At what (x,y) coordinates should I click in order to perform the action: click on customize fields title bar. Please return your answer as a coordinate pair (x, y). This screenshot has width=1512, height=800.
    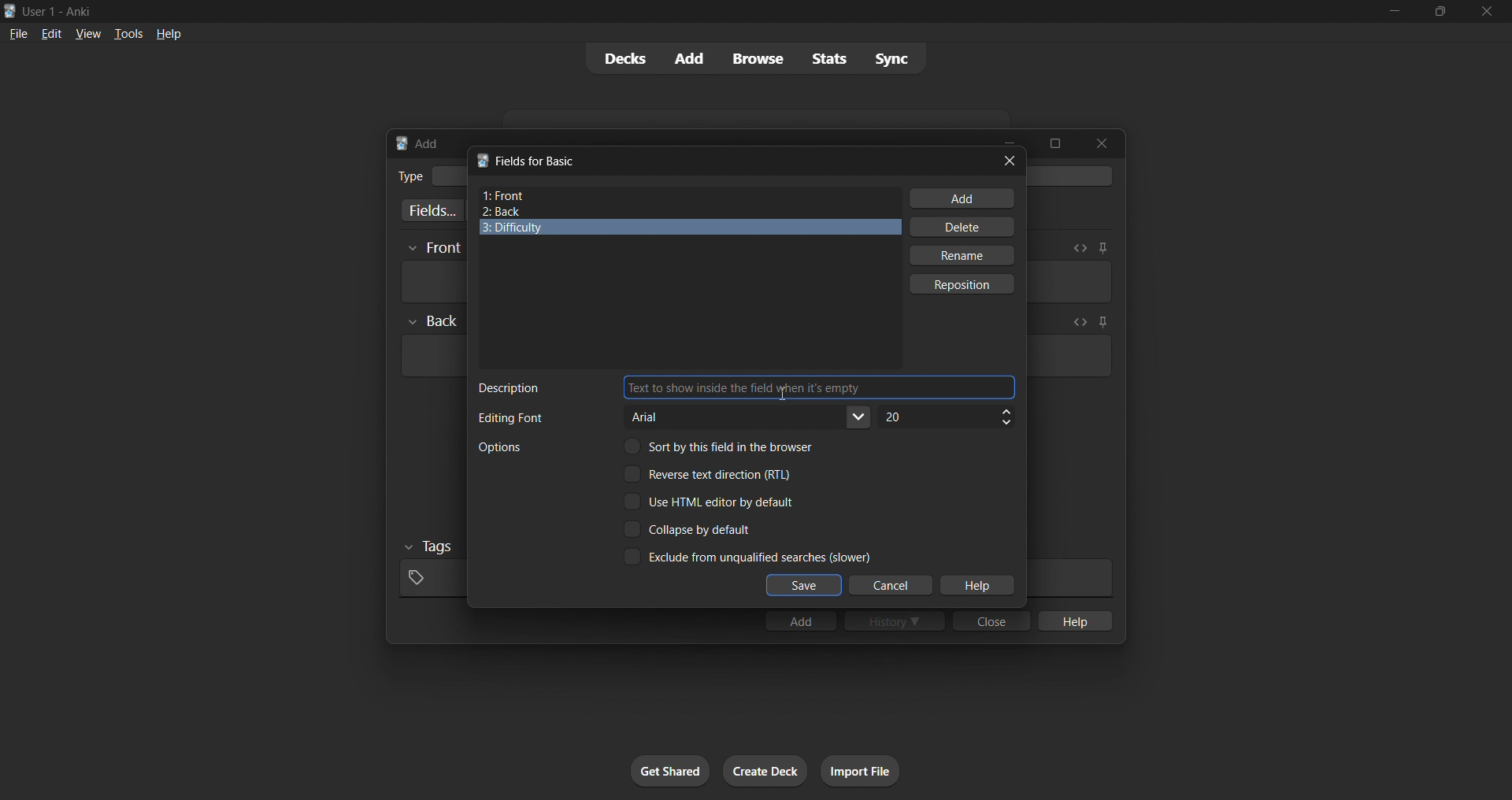
    Looking at the image, I should click on (538, 161).